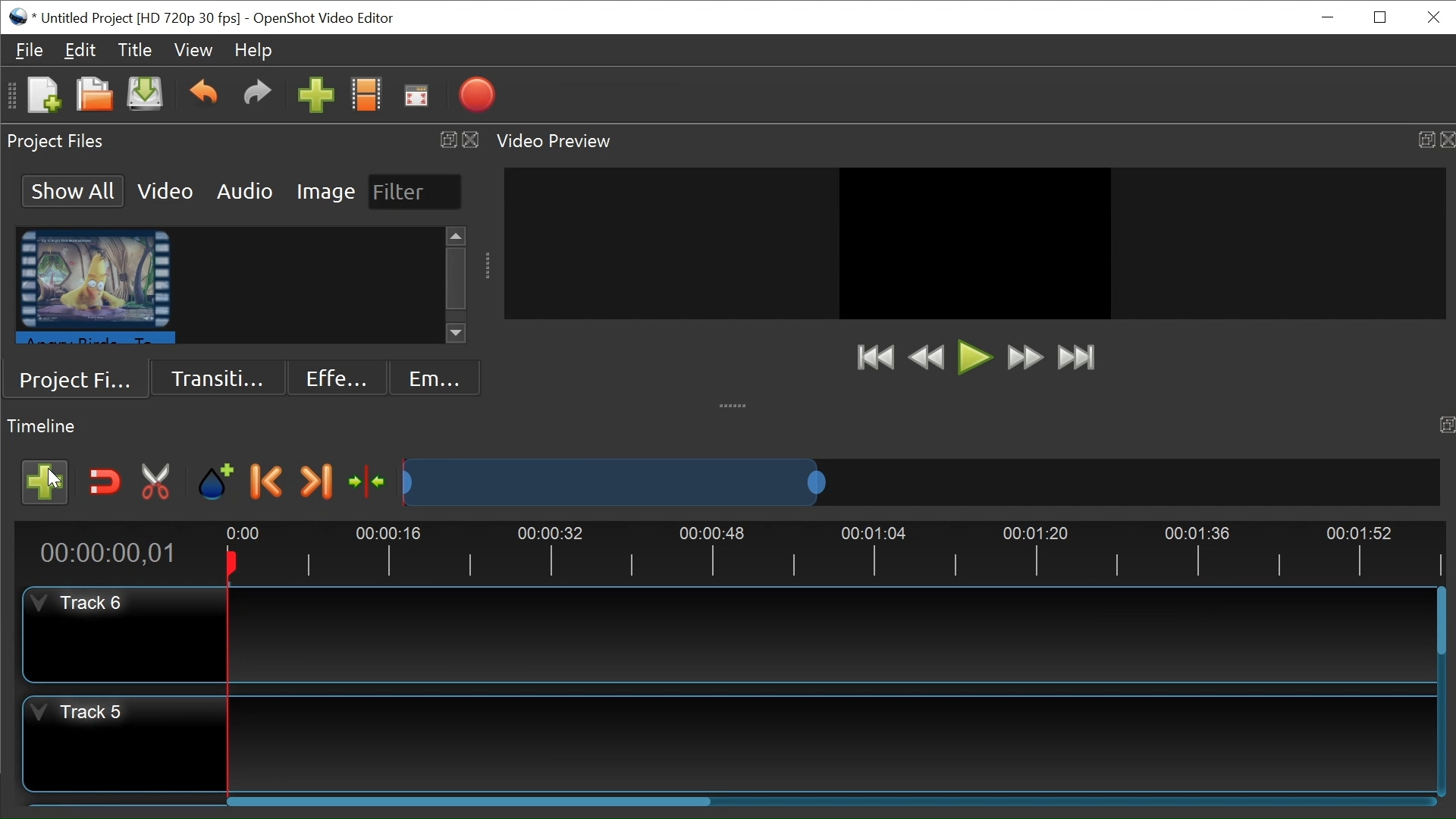 The height and width of the screenshot is (819, 1456). Describe the element at coordinates (243, 191) in the screenshot. I see `Audio` at that location.